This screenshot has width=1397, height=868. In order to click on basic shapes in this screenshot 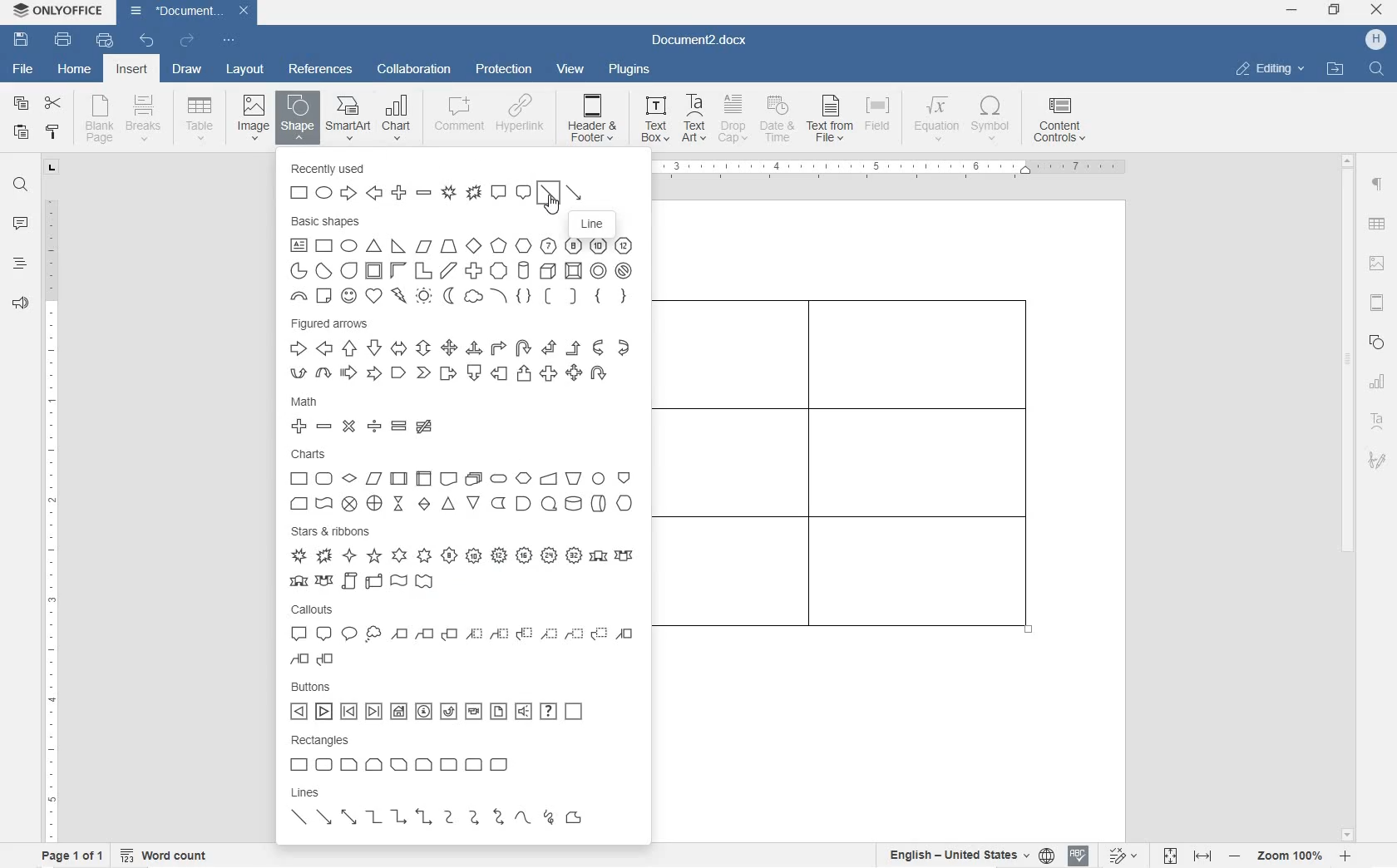, I will do `click(465, 260)`.